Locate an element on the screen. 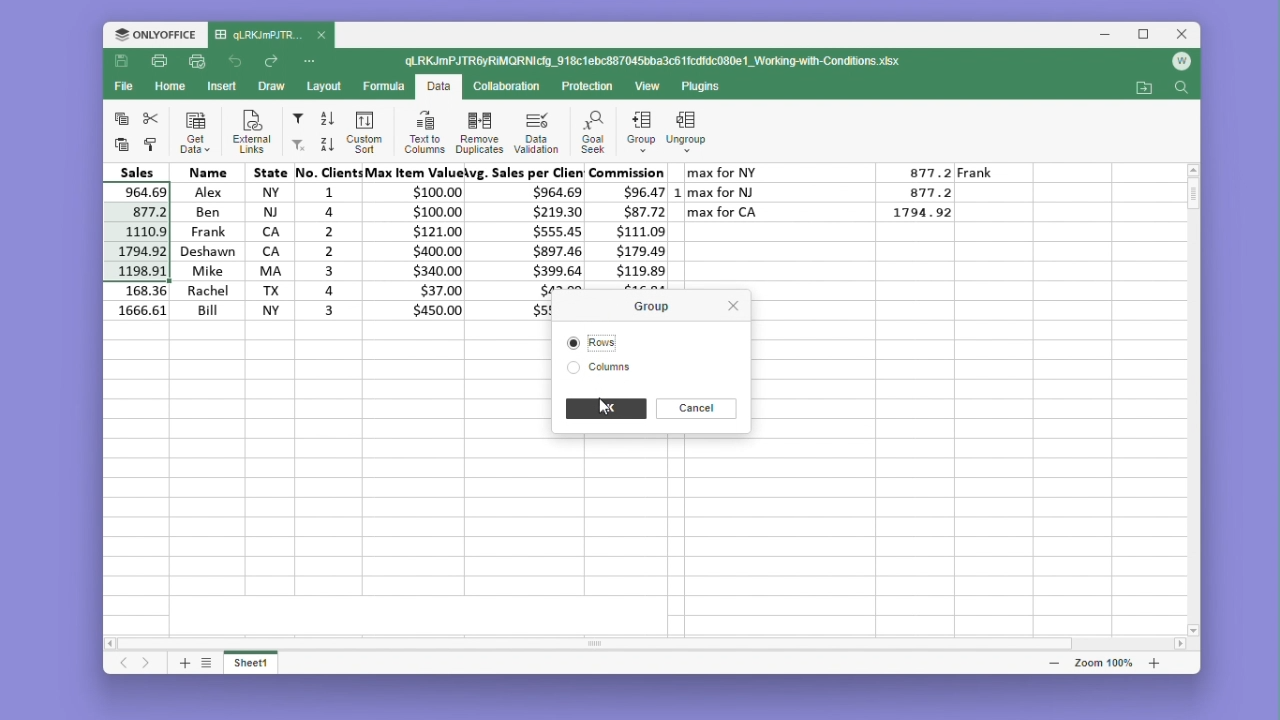 The height and width of the screenshot is (720, 1280). Layout is located at coordinates (325, 86).